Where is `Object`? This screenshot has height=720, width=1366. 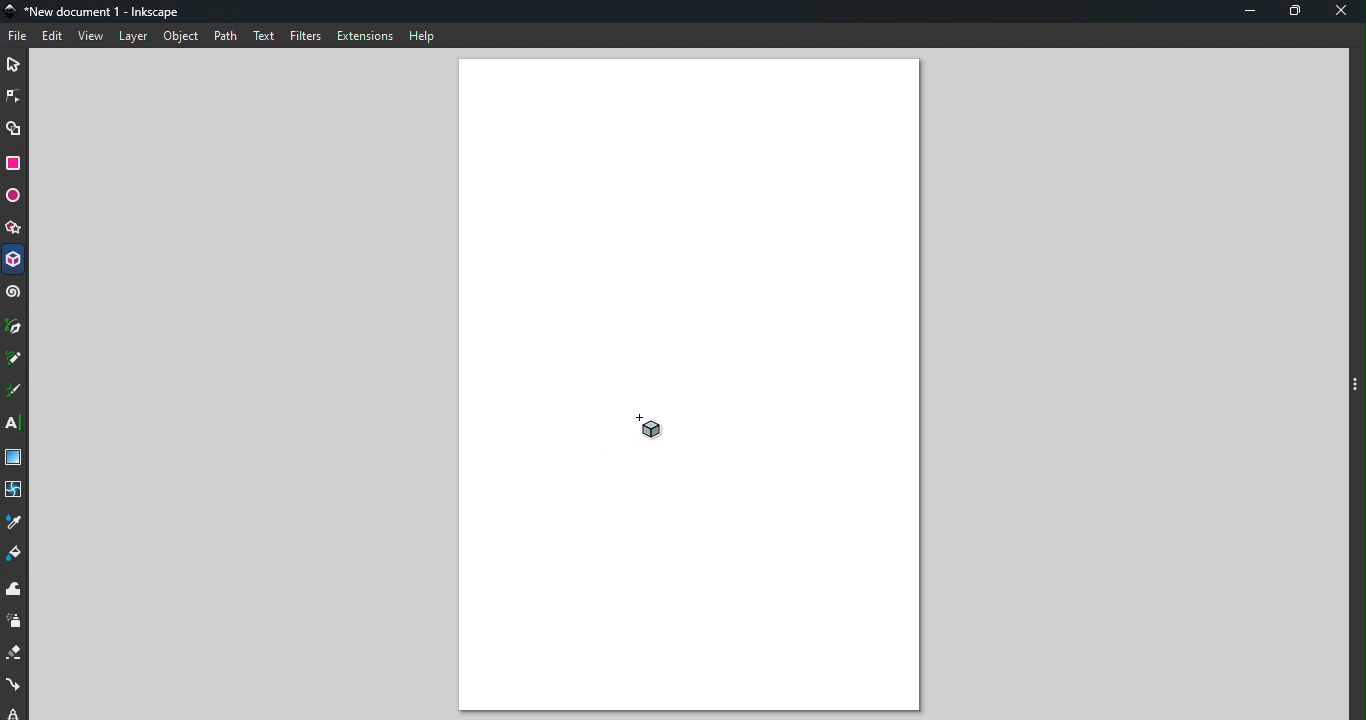
Object is located at coordinates (178, 39).